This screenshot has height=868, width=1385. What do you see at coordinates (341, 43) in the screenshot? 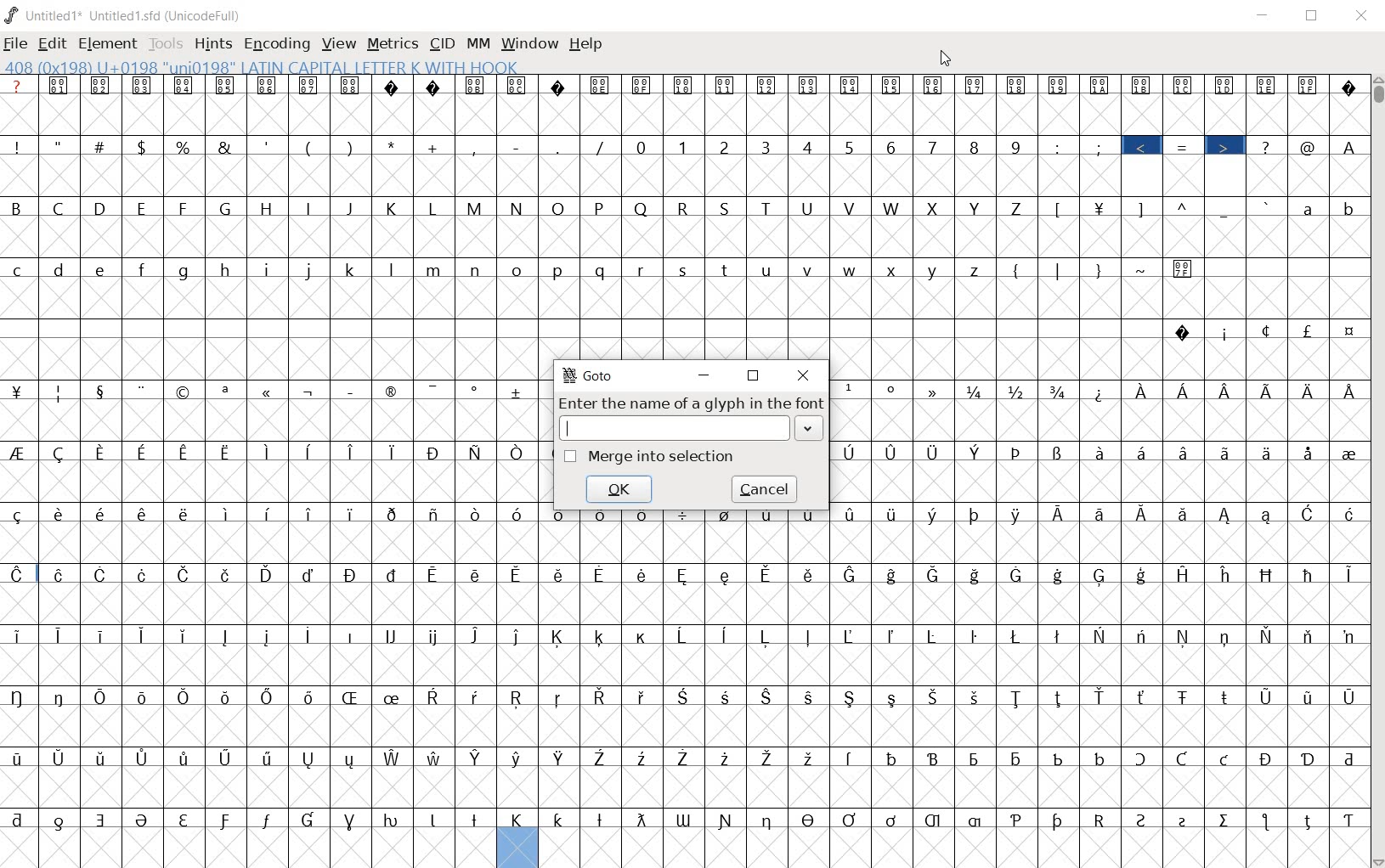
I see `view` at bounding box center [341, 43].